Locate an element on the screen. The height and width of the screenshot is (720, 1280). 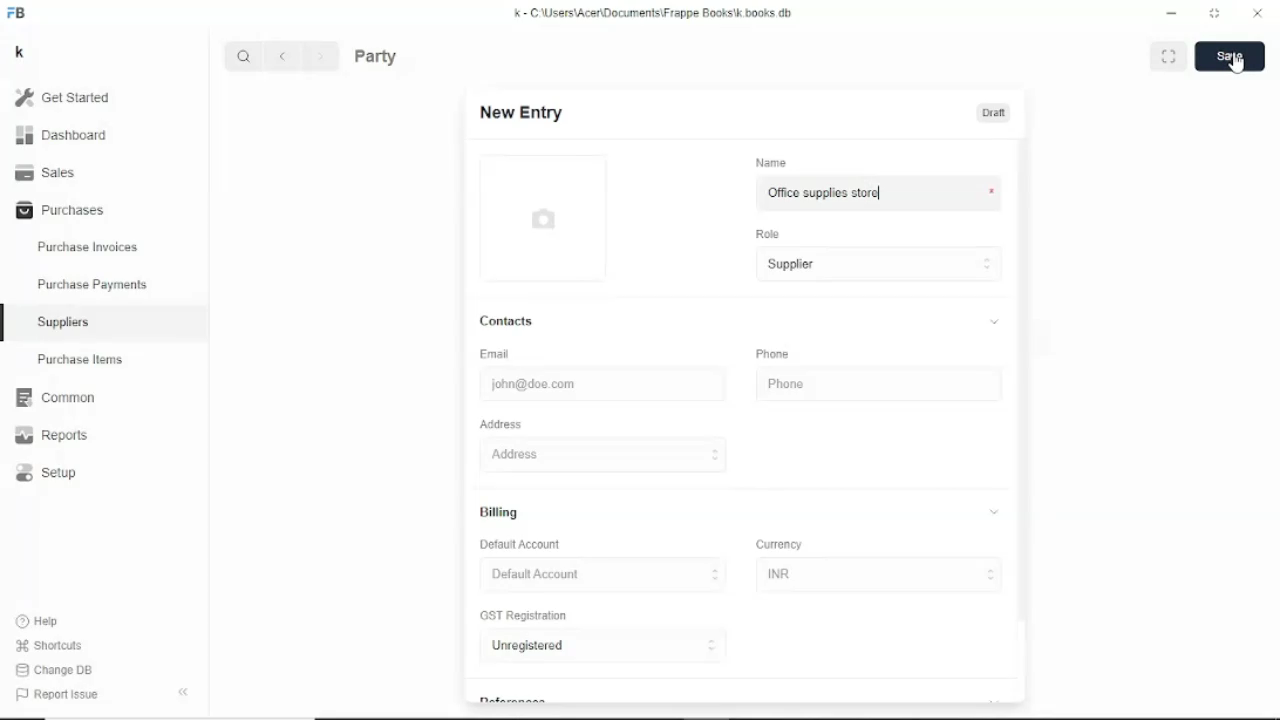
Cursor is located at coordinates (1235, 62).